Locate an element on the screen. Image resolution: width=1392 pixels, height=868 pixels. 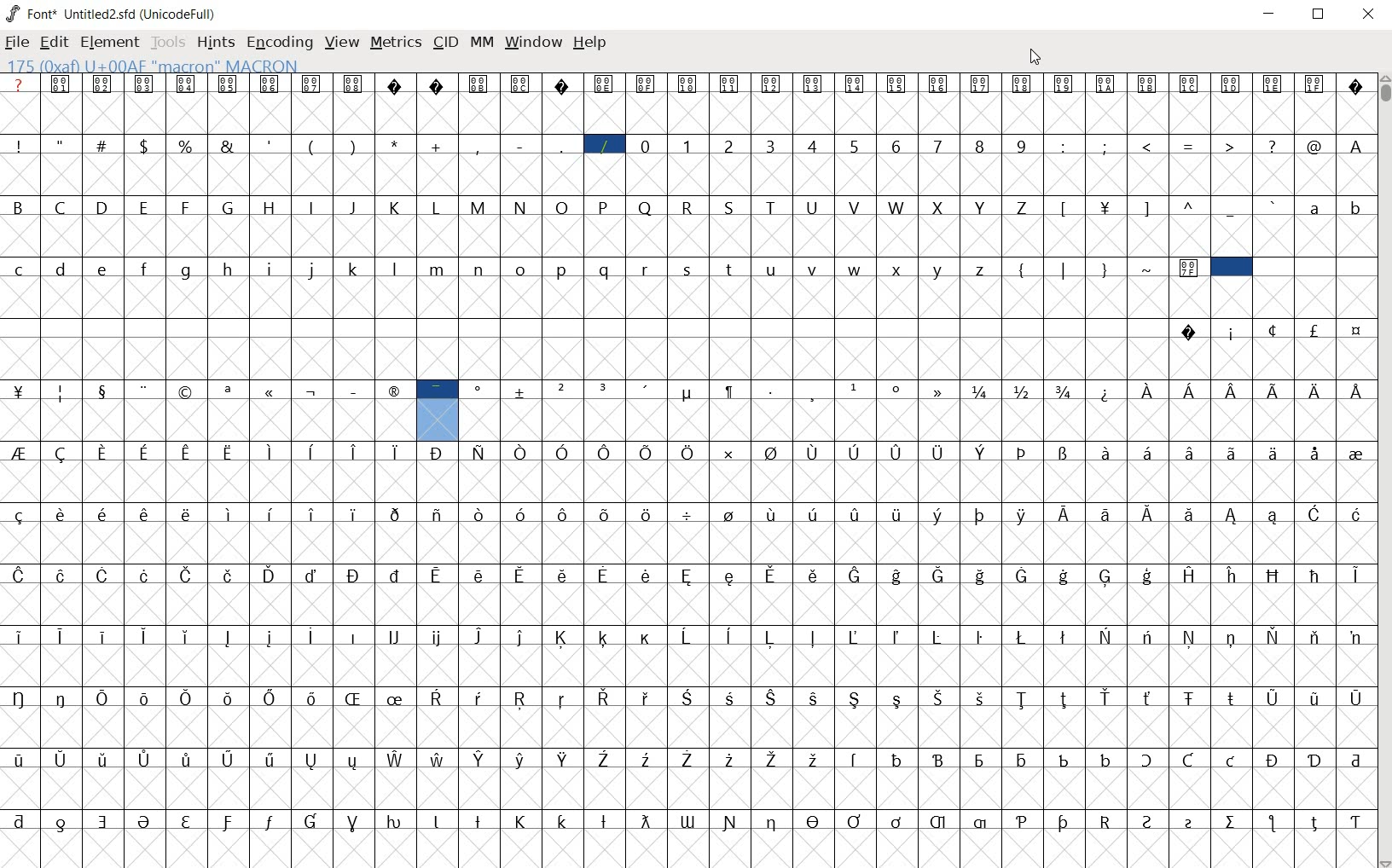
accented characters is located at coordinates (873, 657).